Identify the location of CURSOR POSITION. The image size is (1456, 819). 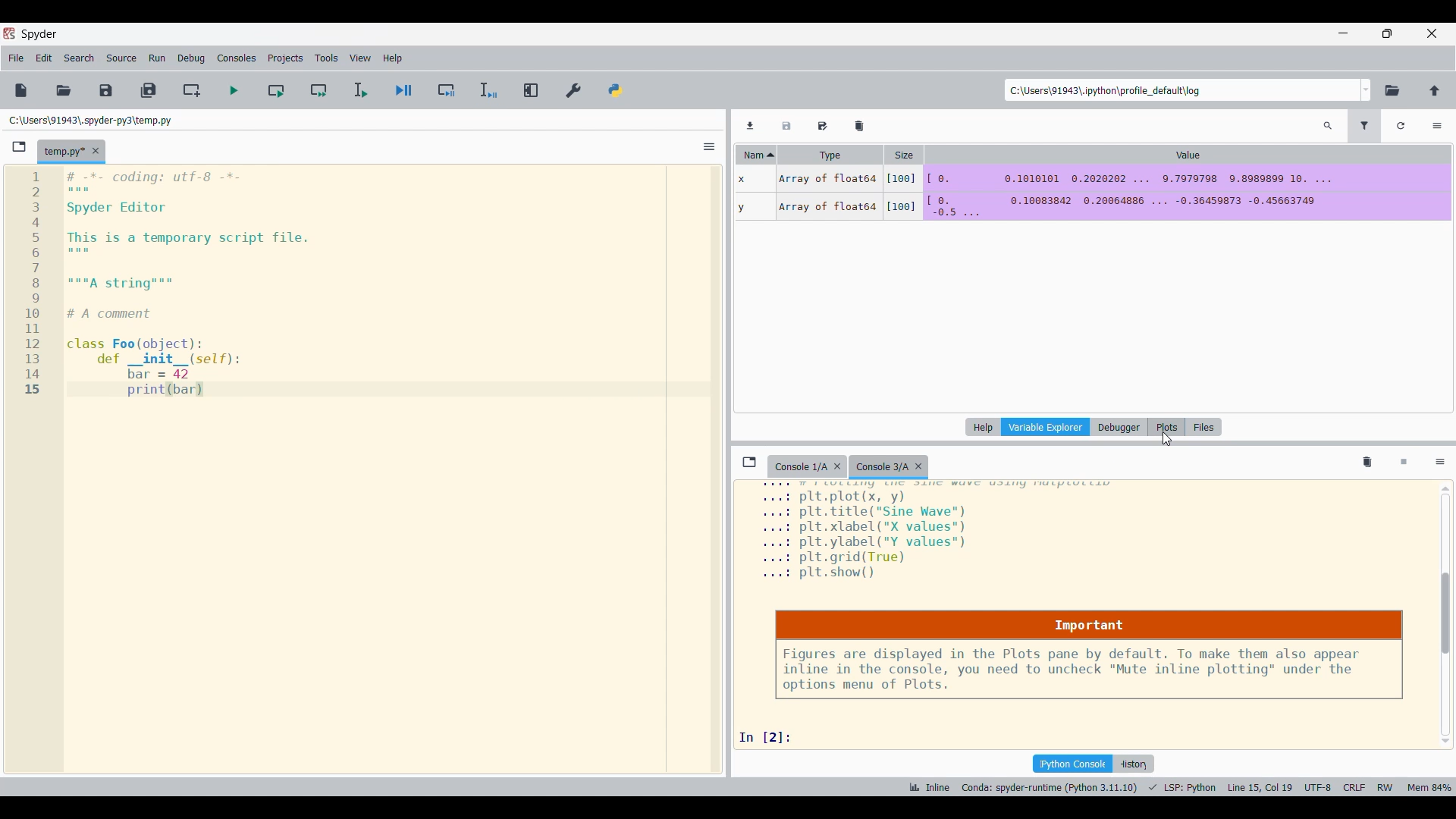
(1260, 788).